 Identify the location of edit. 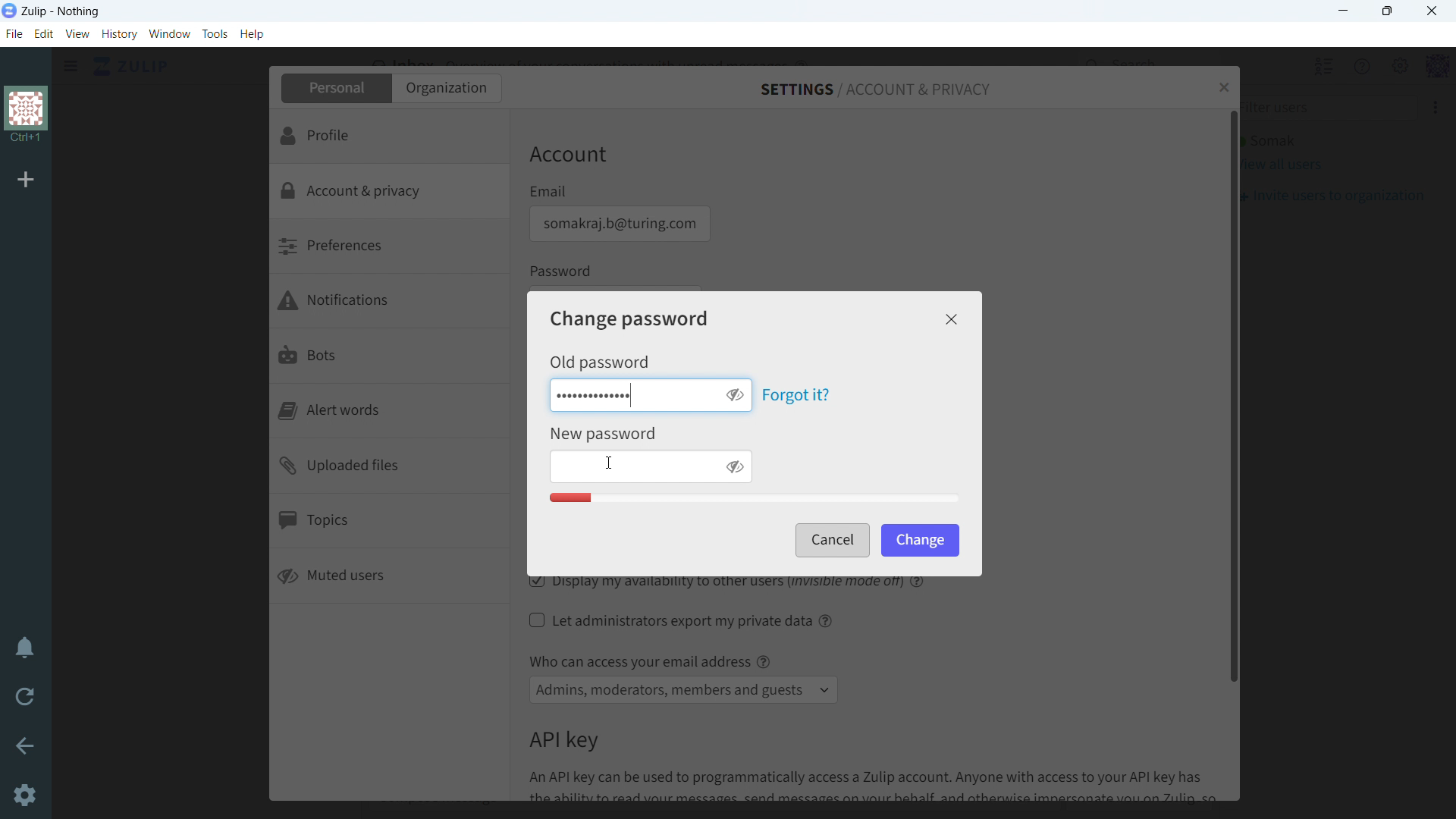
(43, 34).